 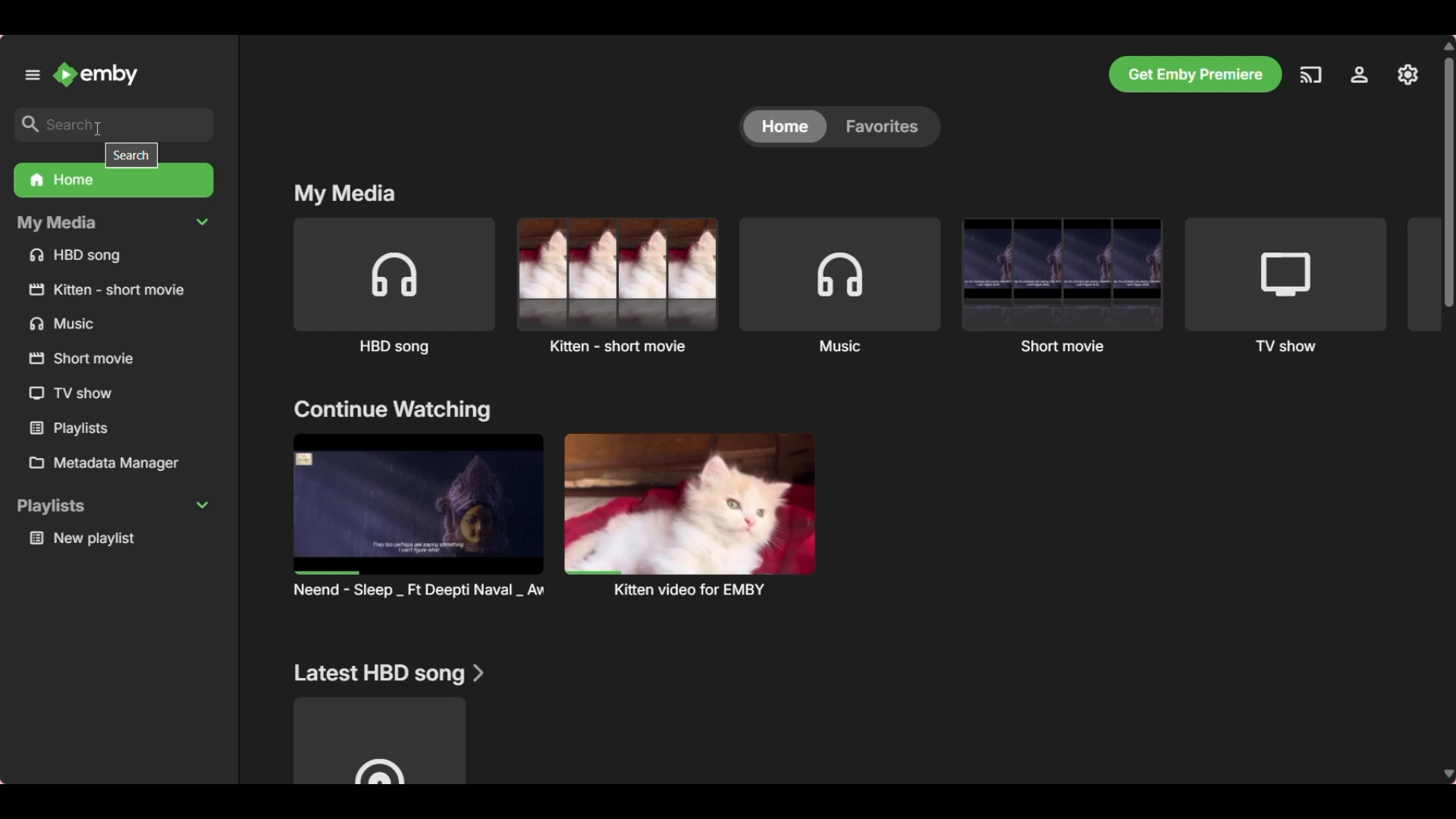 What do you see at coordinates (839, 127) in the screenshot?
I see `Toggle between Home and Favorites` at bounding box center [839, 127].